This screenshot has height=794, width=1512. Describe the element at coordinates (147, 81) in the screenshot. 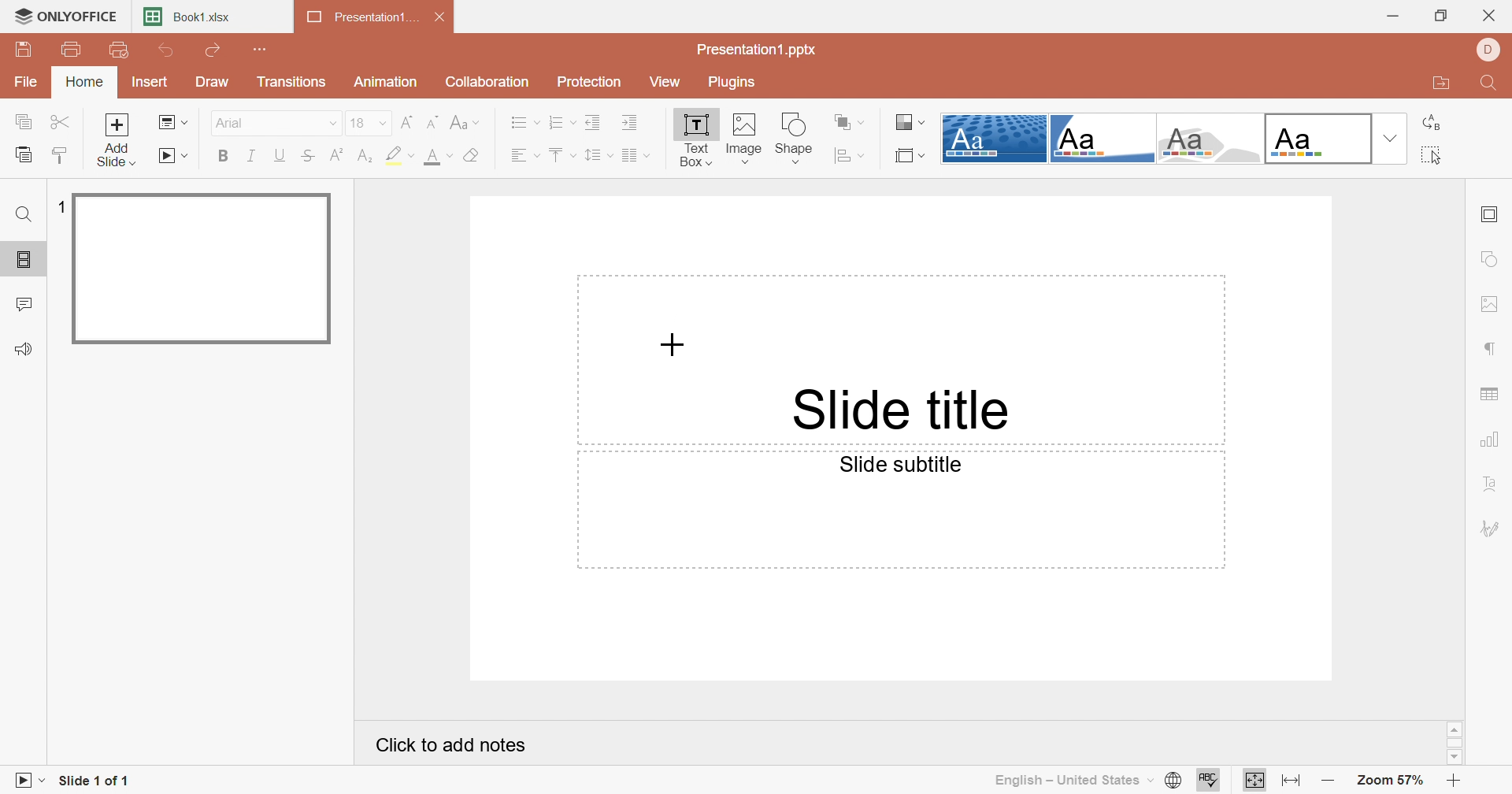

I see `Insert` at that location.